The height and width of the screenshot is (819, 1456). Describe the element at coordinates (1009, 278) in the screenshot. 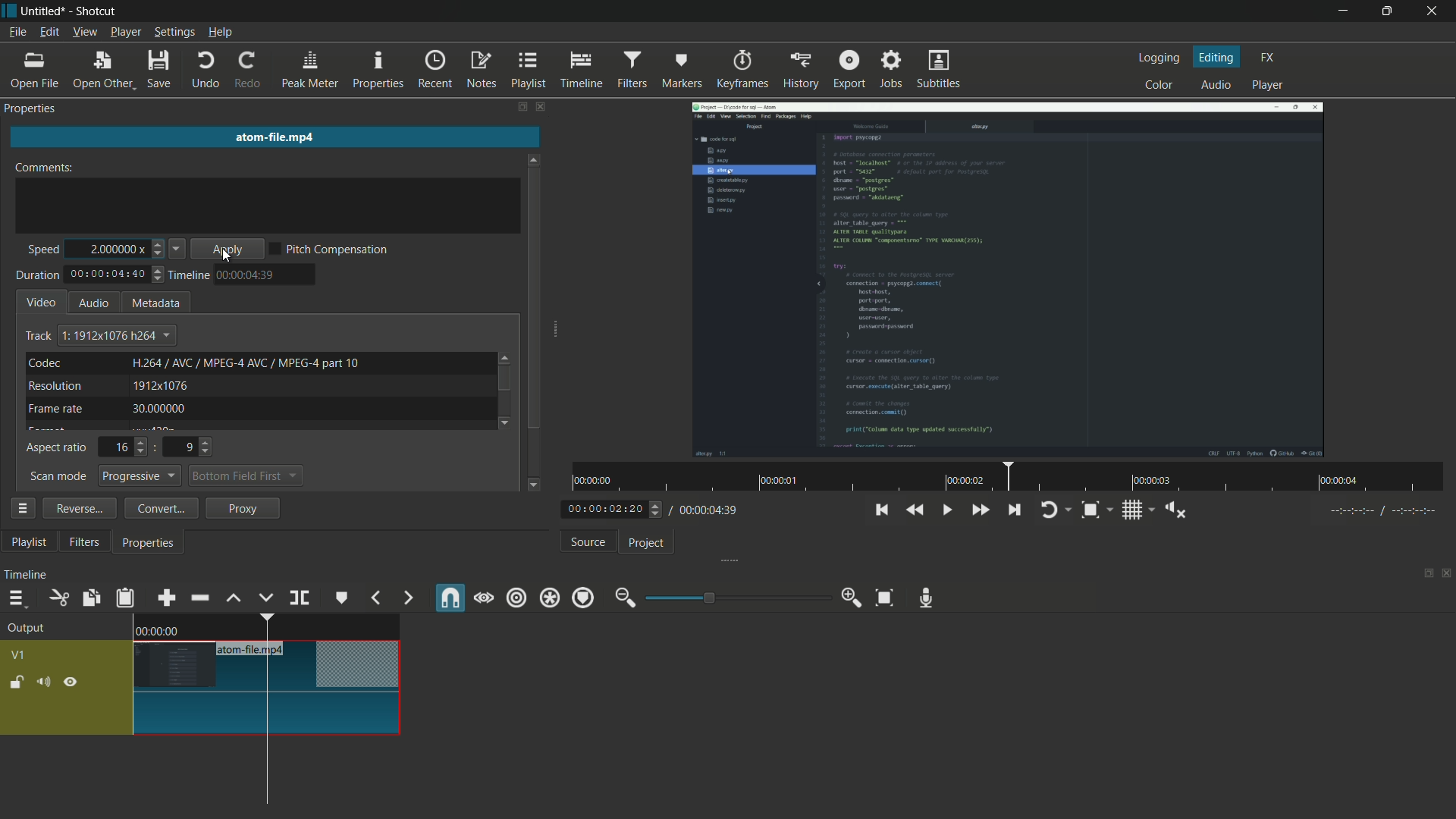

I see `imported video` at that location.